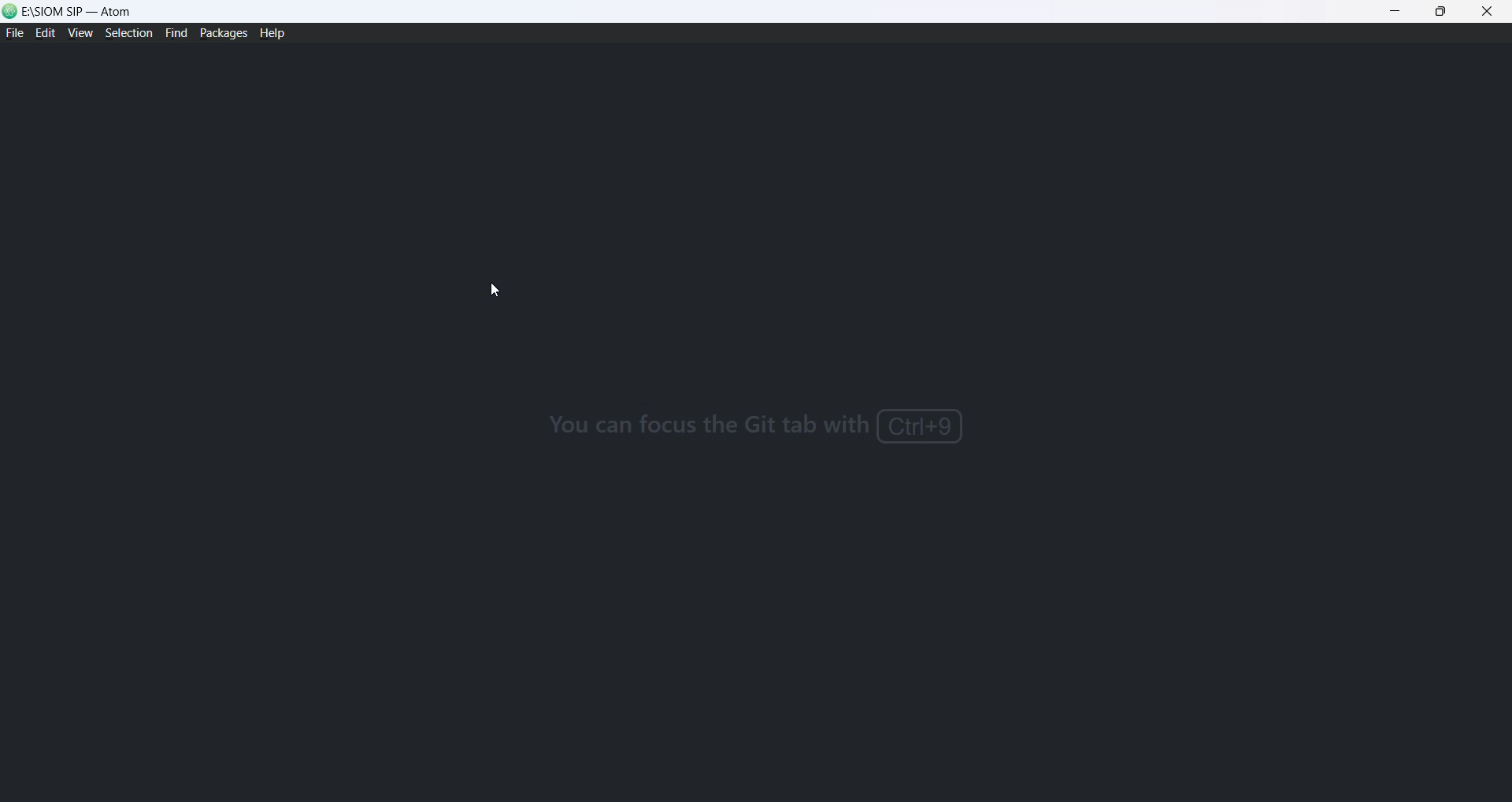  Describe the element at coordinates (173, 34) in the screenshot. I see `find` at that location.